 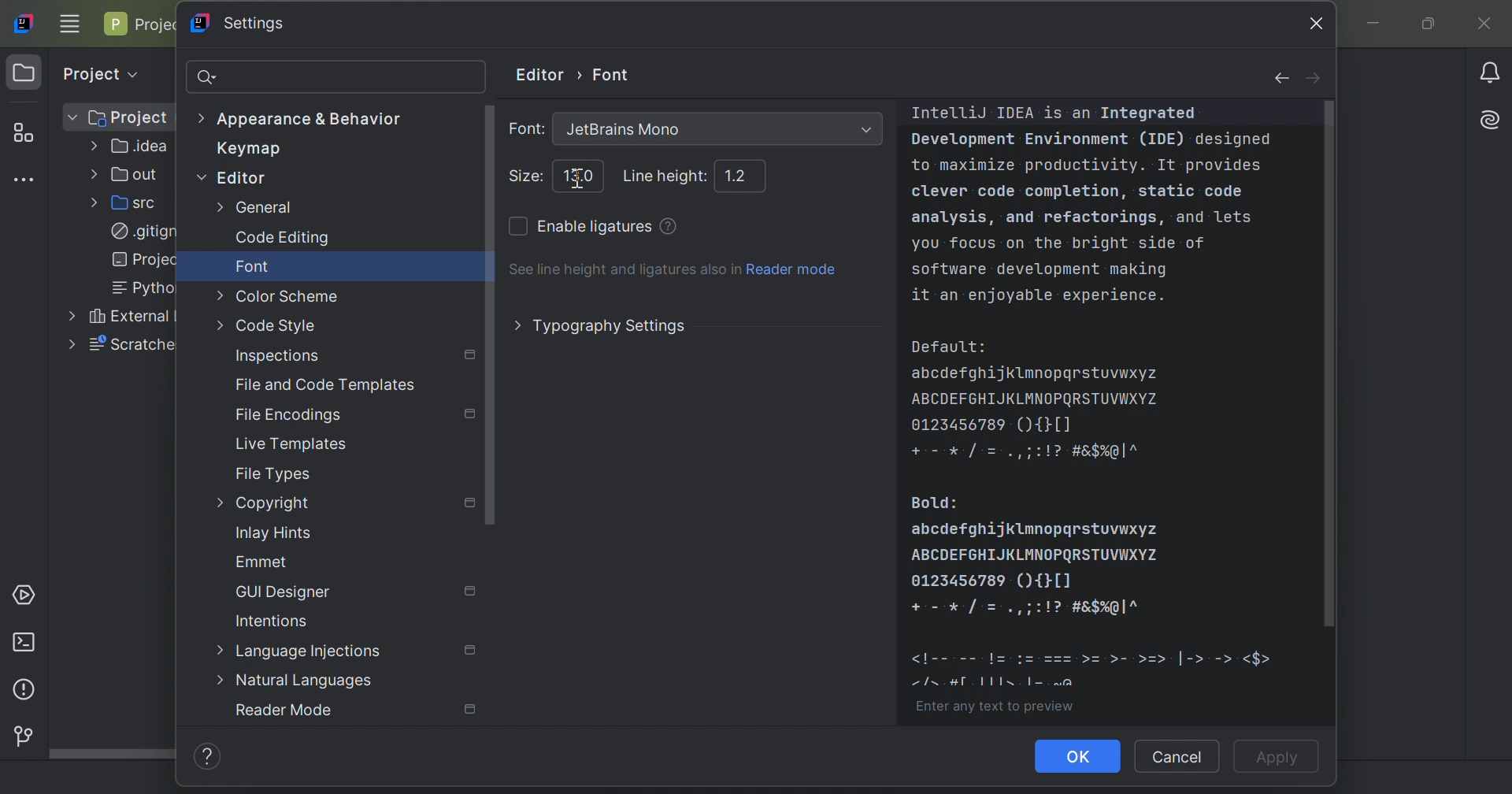 I want to click on Pytho, so click(x=138, y=288).